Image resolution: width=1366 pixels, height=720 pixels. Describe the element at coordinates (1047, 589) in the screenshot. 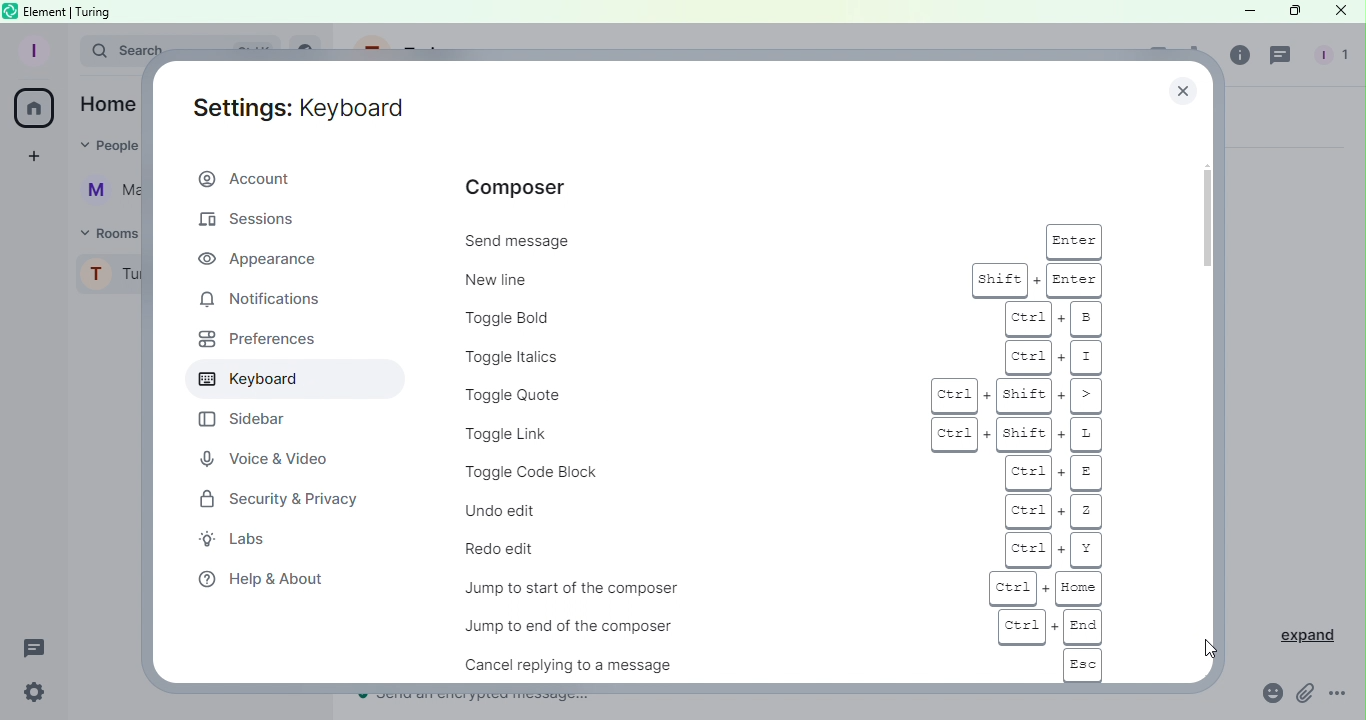

I see `ctrl + home` at that location.